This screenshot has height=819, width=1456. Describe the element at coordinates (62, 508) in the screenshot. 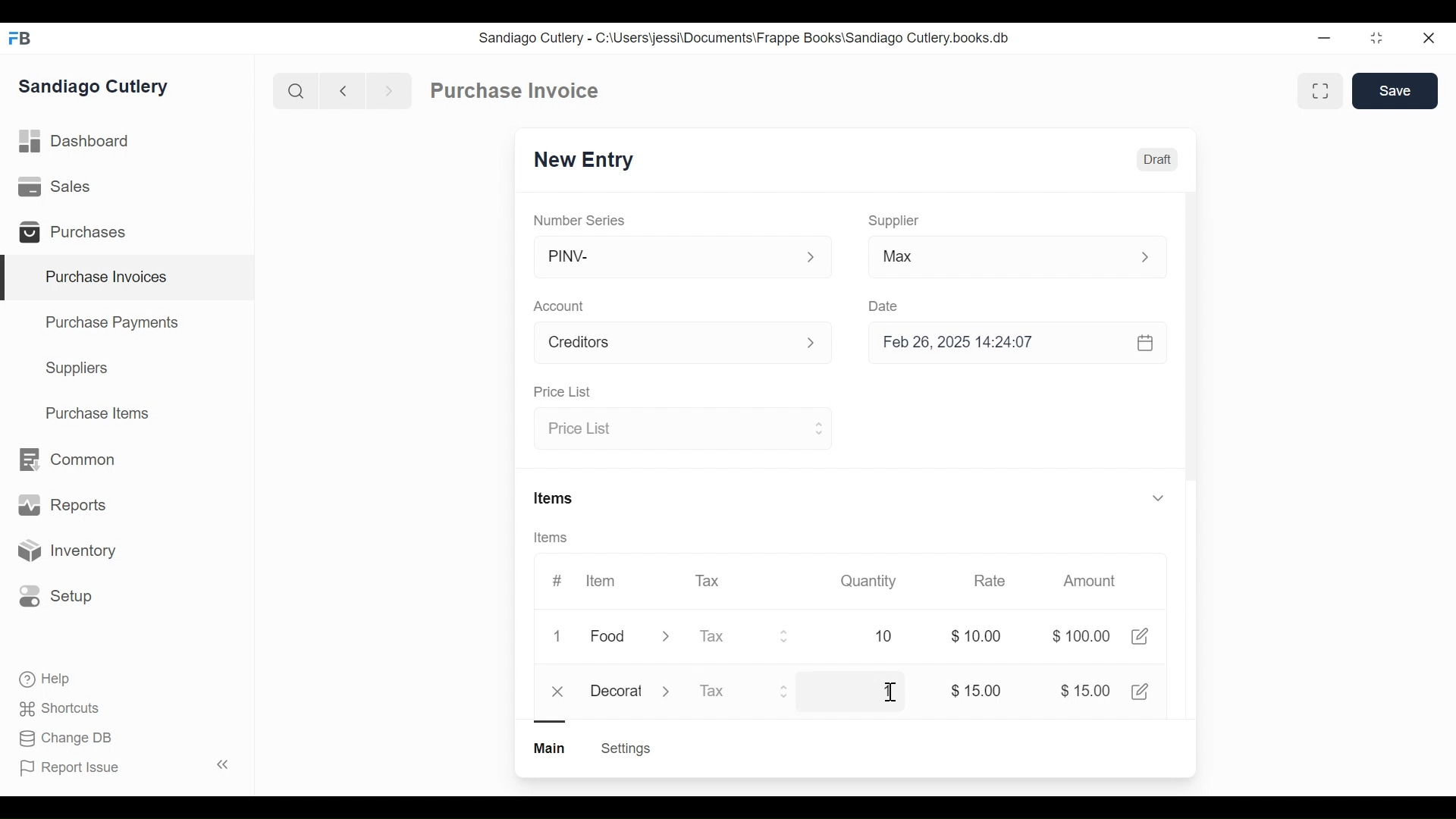

I see `Reports` at that location.